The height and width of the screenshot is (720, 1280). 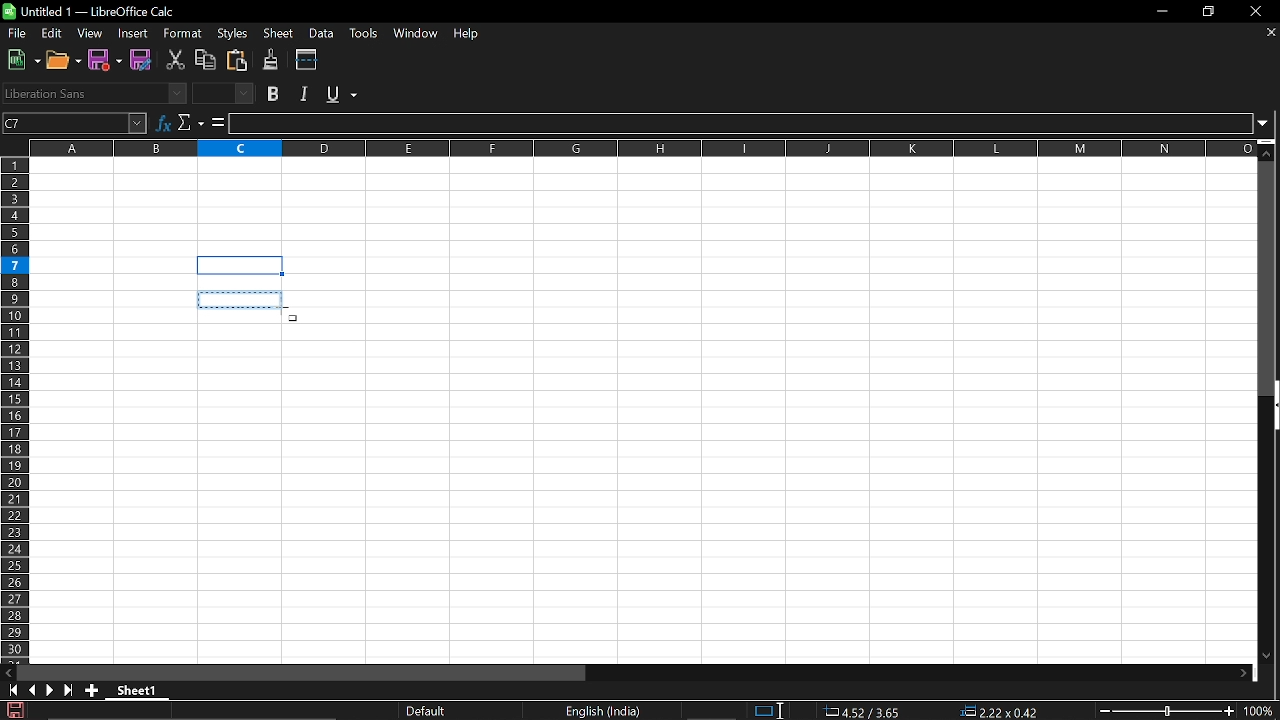 What do you see at coordinates (242, 299) in the screenshot?
I see `Selected box` at bounding box center [242, 299].